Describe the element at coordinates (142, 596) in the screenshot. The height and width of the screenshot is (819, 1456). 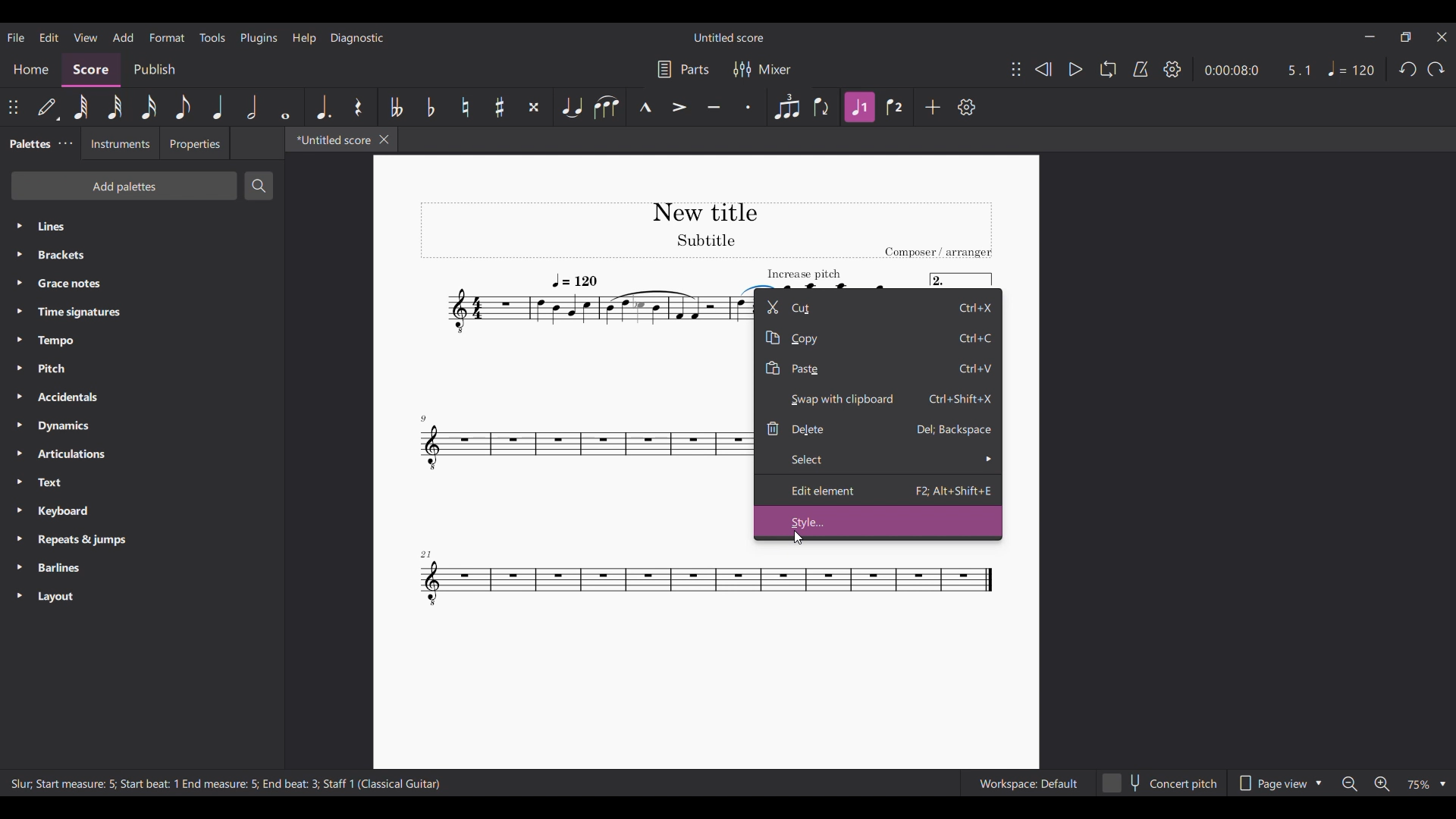
I see `Layout` at that location.